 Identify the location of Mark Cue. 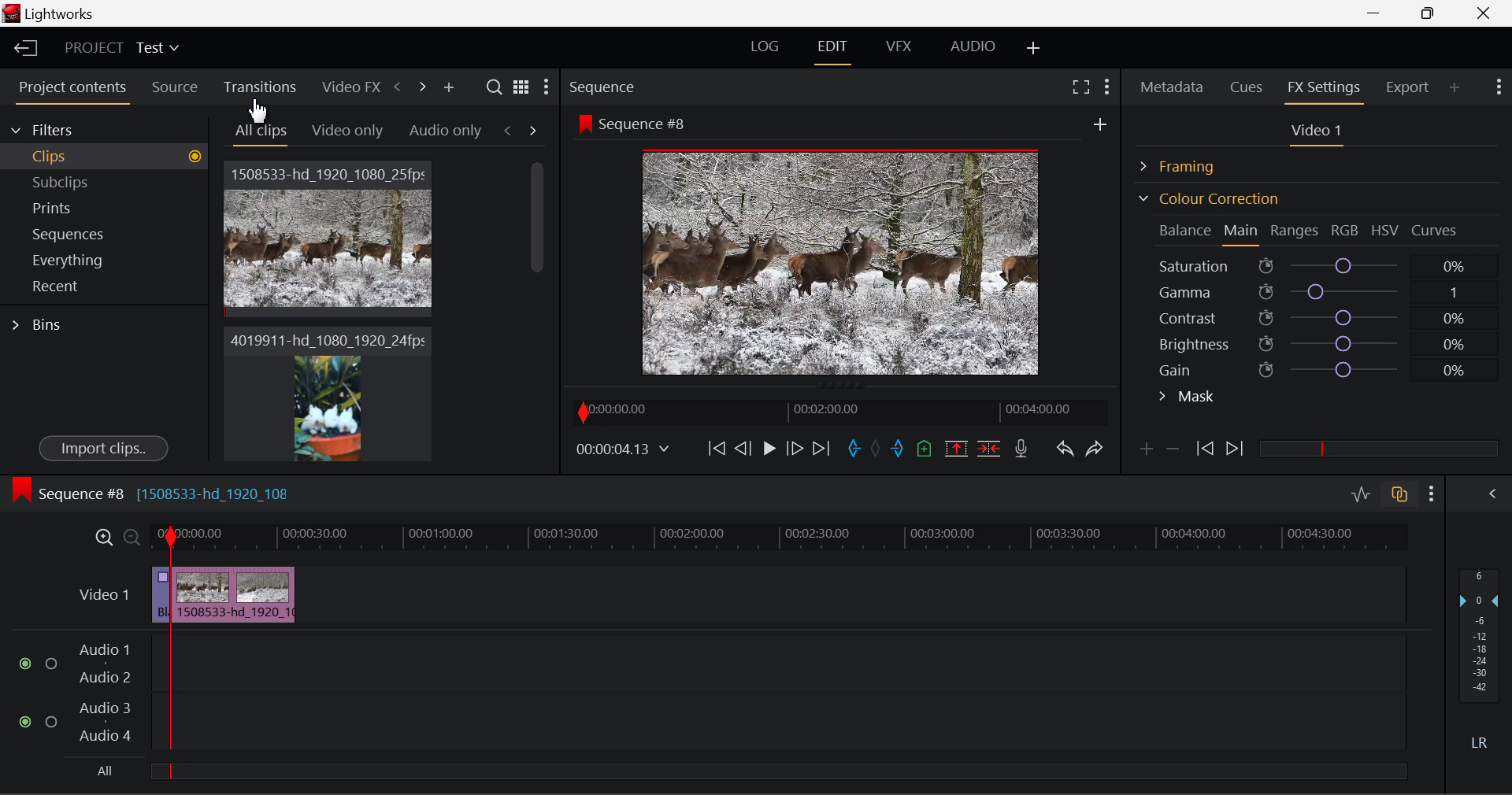
(923, 449).